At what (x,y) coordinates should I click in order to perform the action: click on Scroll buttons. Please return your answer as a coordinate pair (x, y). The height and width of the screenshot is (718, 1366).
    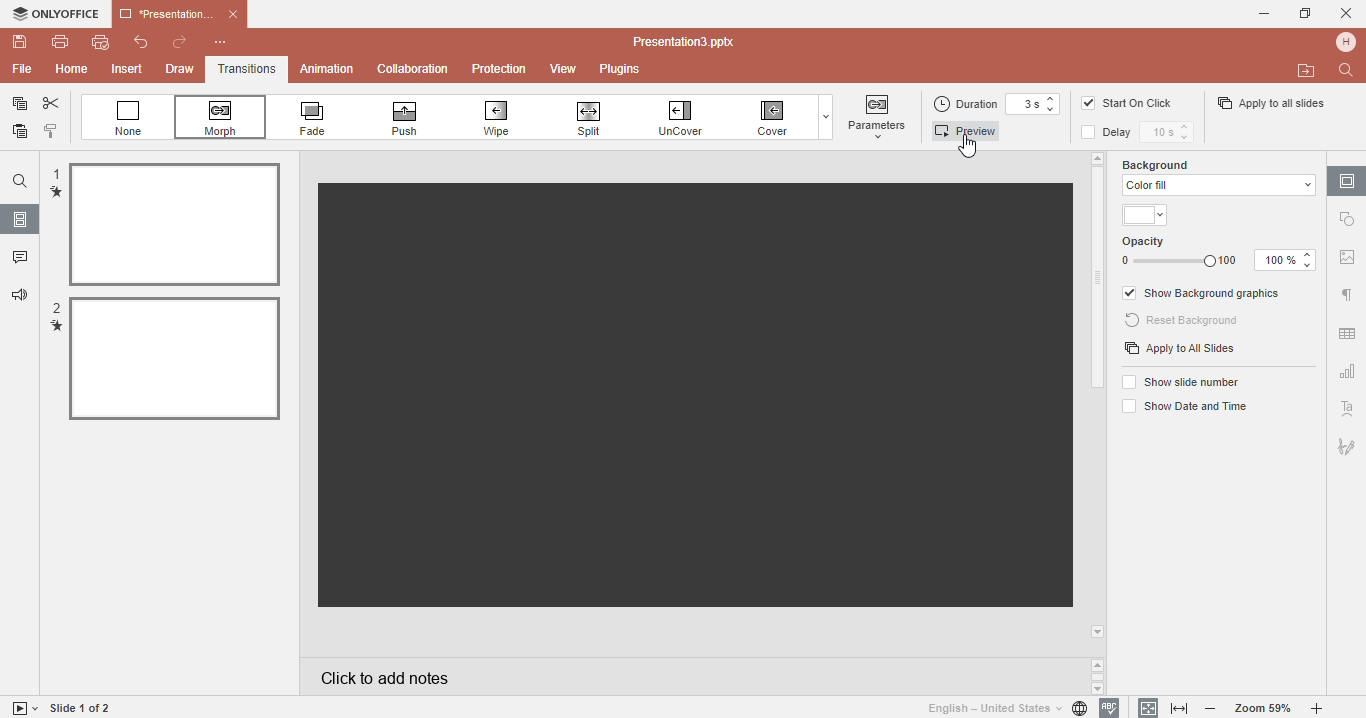
    Looking at the image, I should click on (1099, 676).